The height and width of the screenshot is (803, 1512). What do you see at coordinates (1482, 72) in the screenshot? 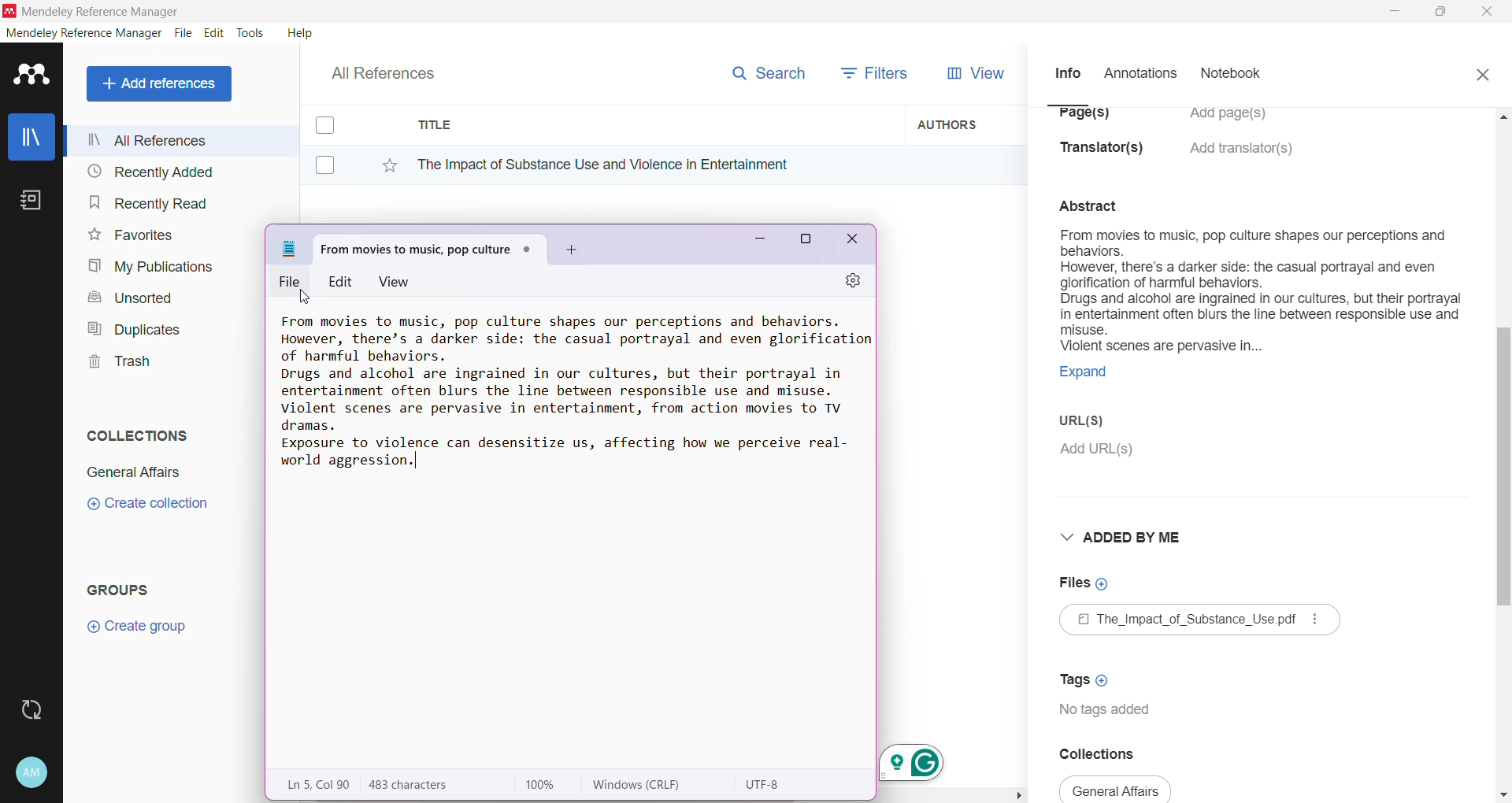
I see `Close` at bounding box center [1482, 72].